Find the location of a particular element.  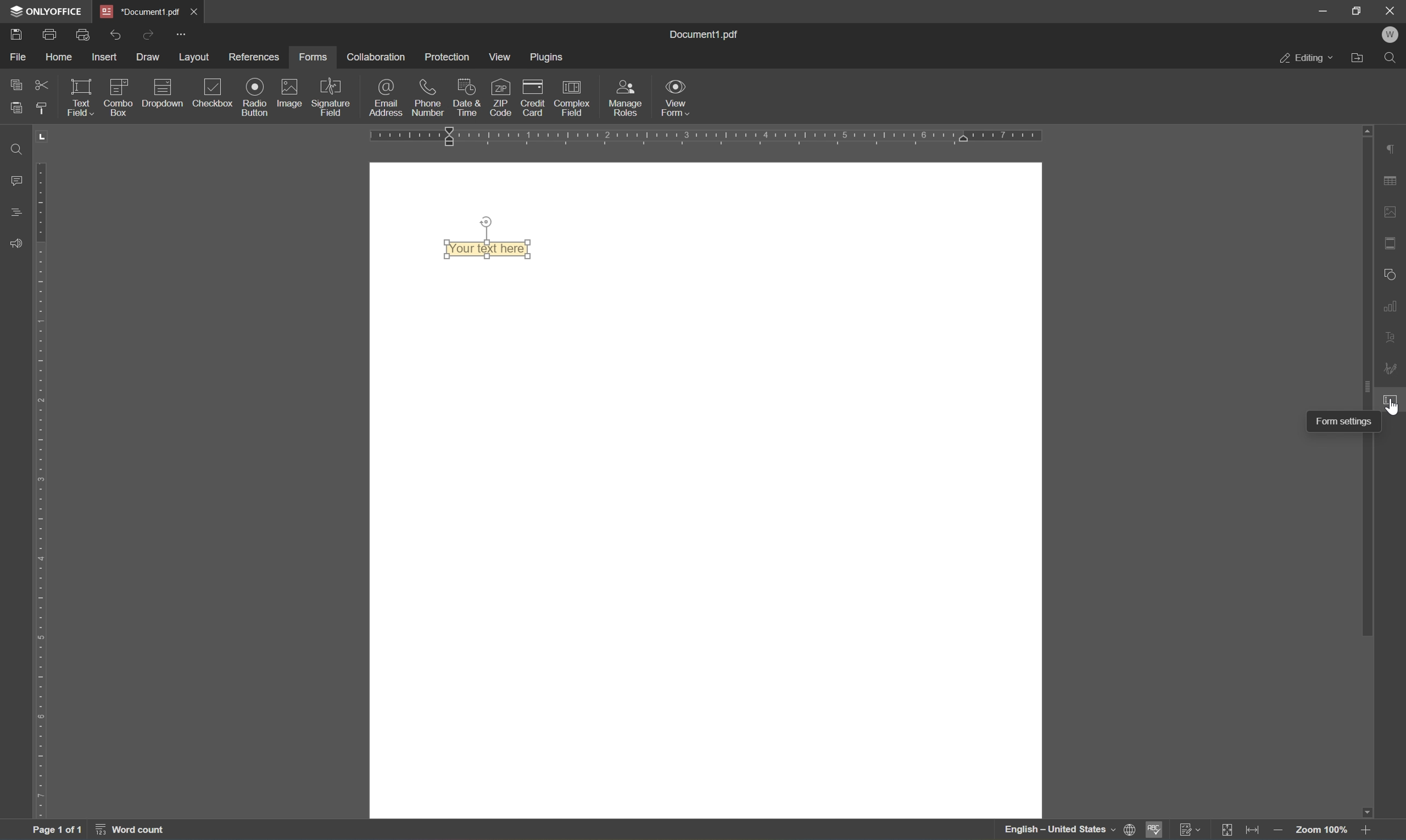

redo is located at coordinates (117, 36).